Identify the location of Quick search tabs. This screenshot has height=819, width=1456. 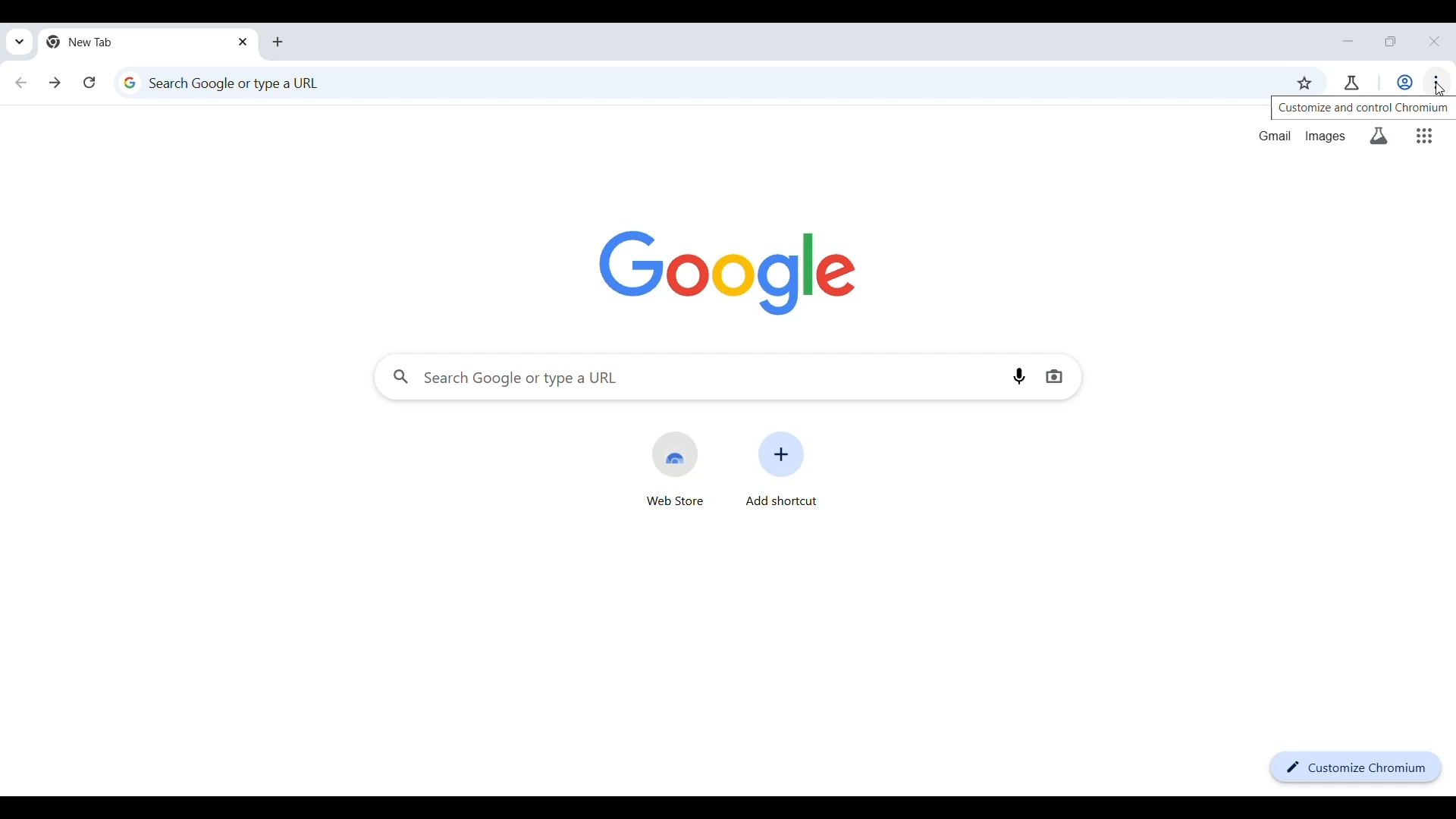
(20, 41).